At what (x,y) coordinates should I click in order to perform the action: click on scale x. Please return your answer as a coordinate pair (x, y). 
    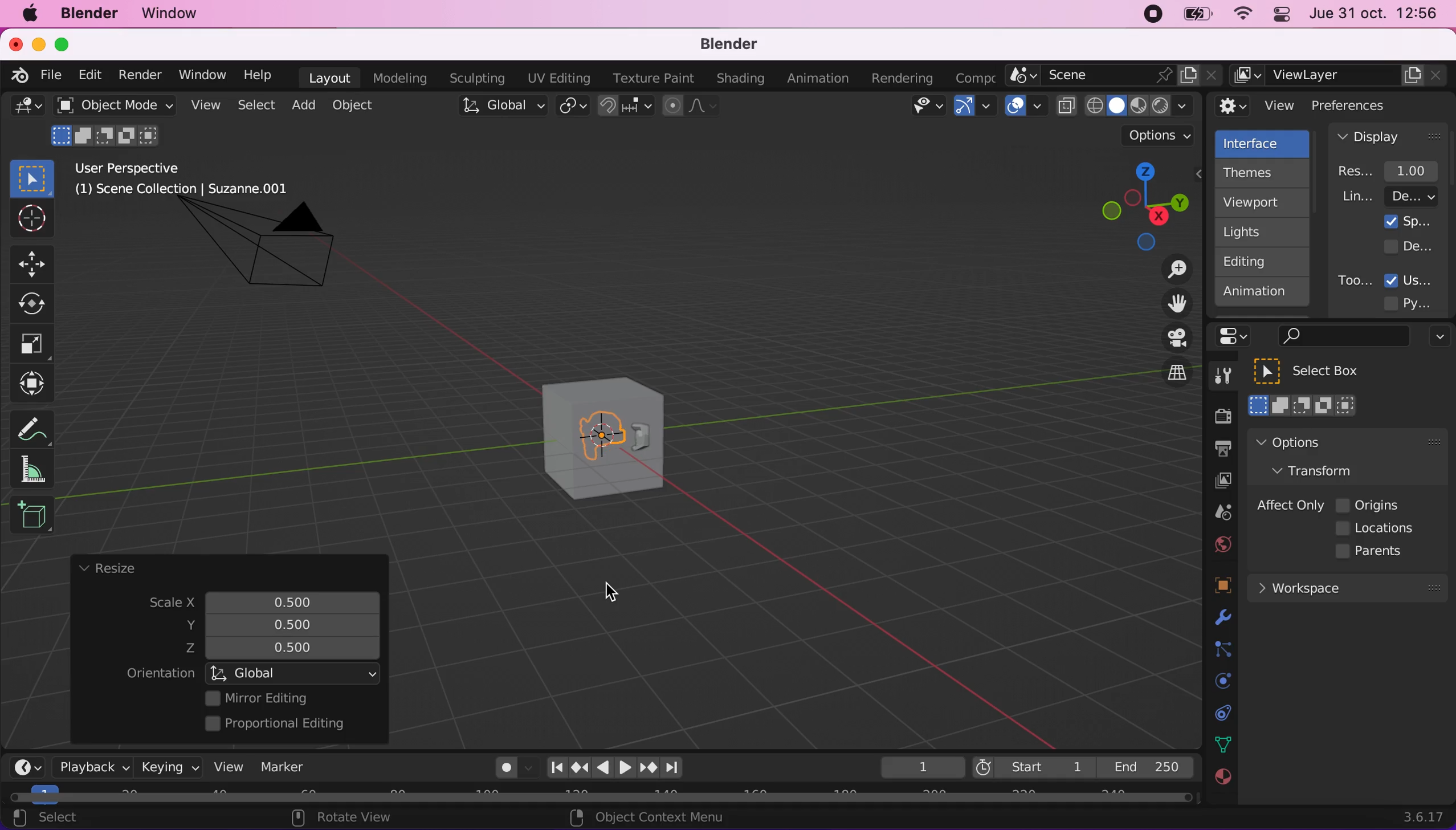
    Looking at the image, I should click on (295, 599).